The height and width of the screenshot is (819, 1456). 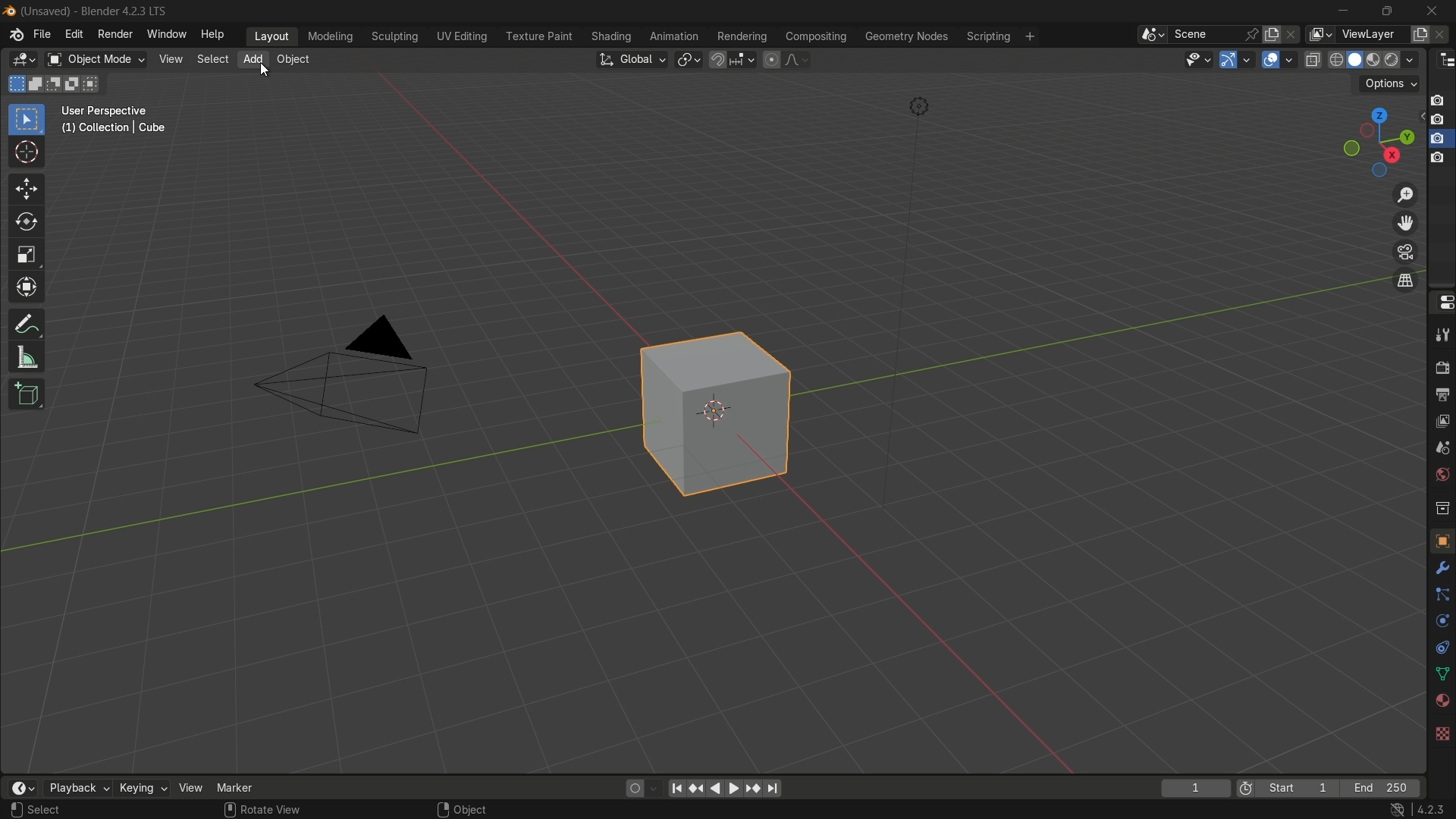 What do you see at coordinates (1204, 34) in the screenshot?
I see `scene` at bounding box center [1204, 34].